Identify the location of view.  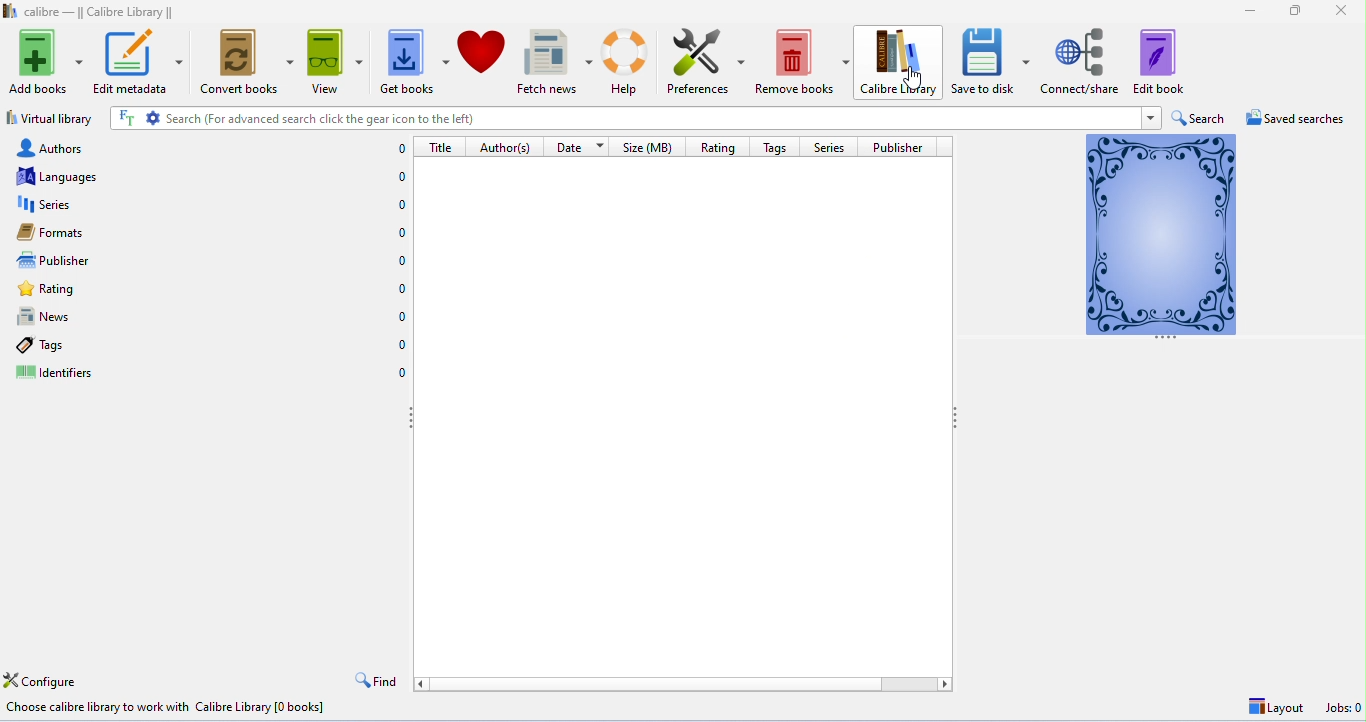
(336, 62).